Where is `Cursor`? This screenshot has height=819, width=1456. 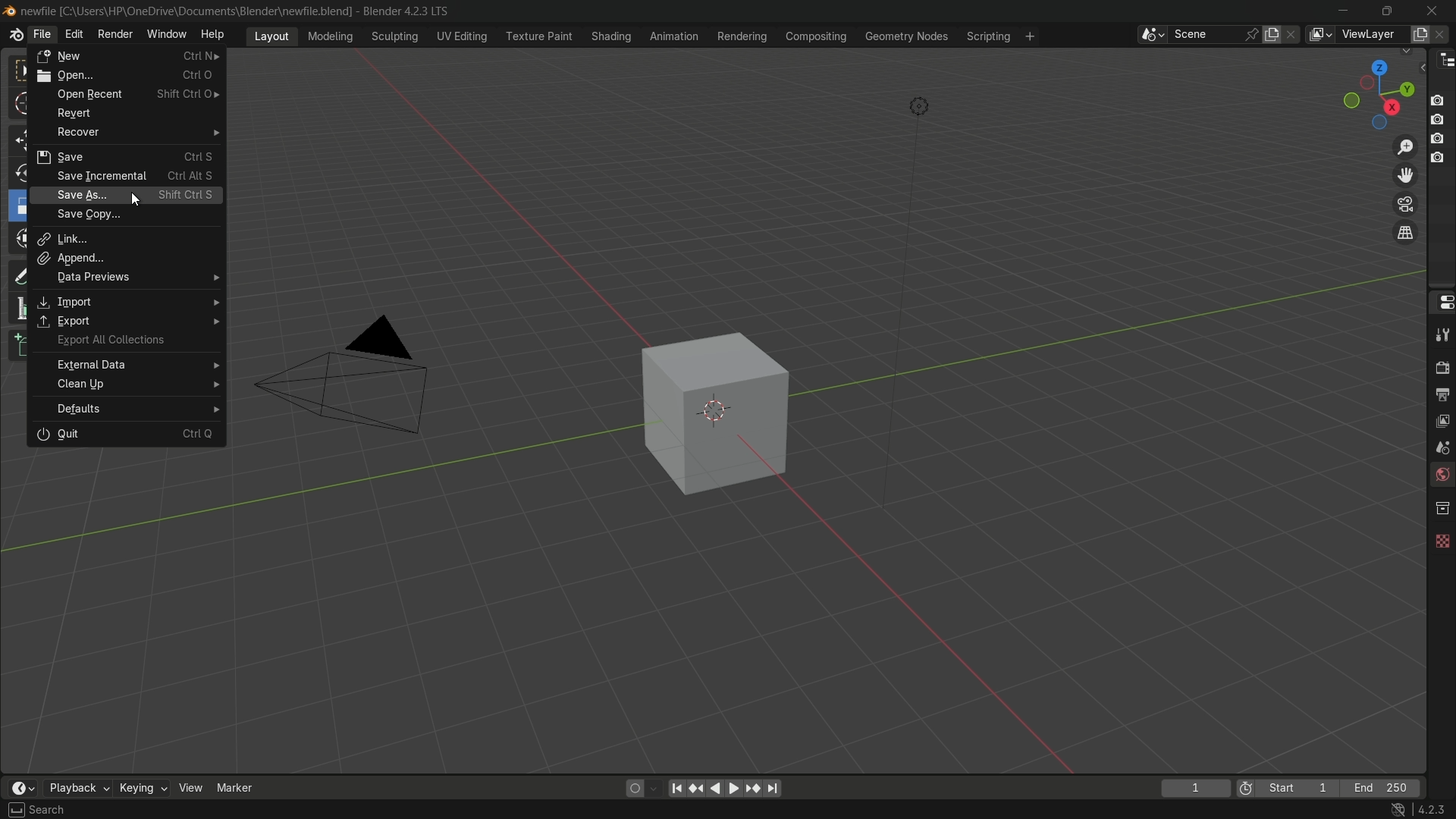 Cursor is located at coordinates (138, 199).